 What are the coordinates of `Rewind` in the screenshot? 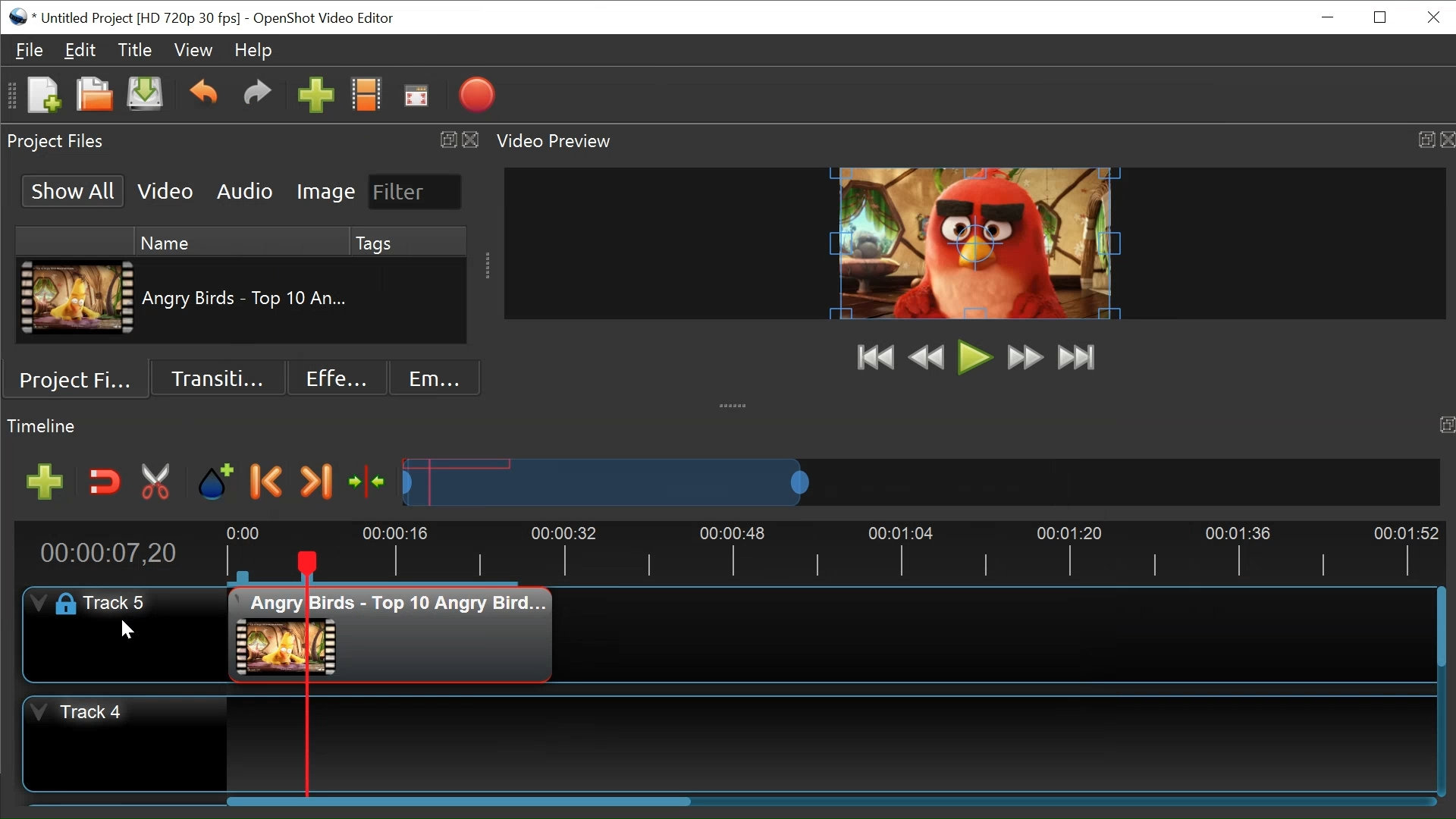 It's located at (927, 358).